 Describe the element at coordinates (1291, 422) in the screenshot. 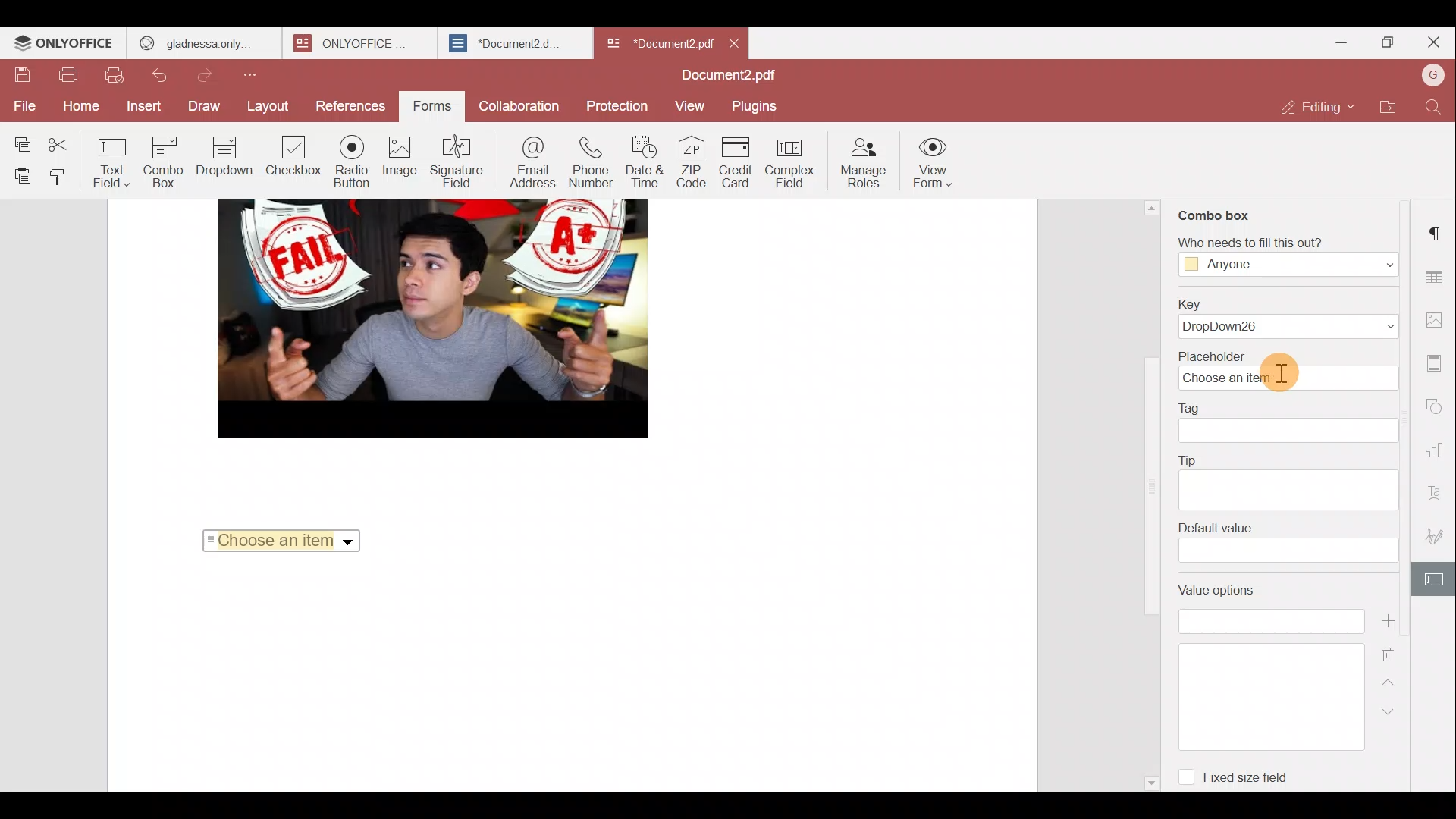

I see `Tag` at that location.